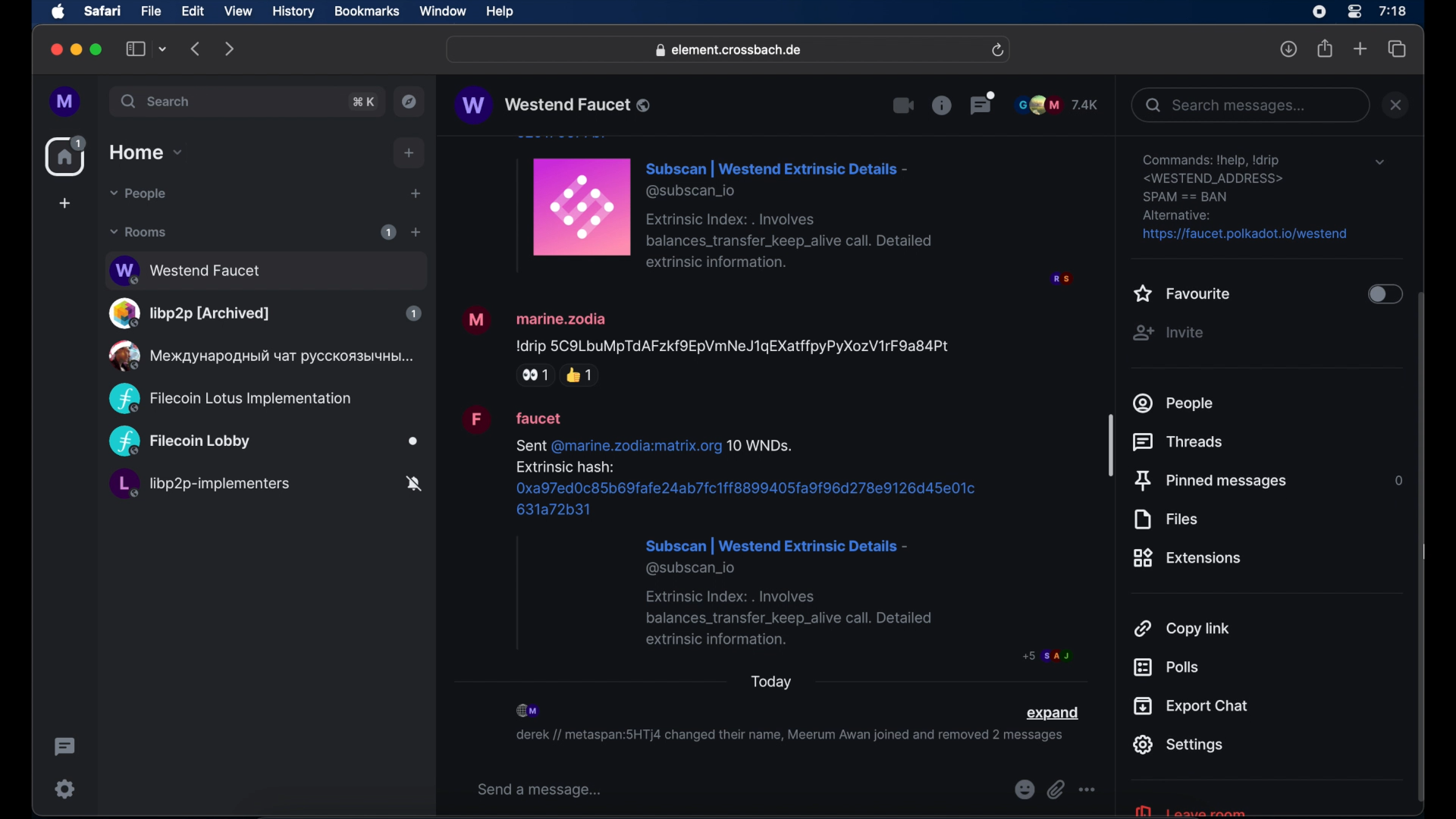  Describe the element at coordinates (1360, 48) in the screenshot. I see `new tab` at that location.